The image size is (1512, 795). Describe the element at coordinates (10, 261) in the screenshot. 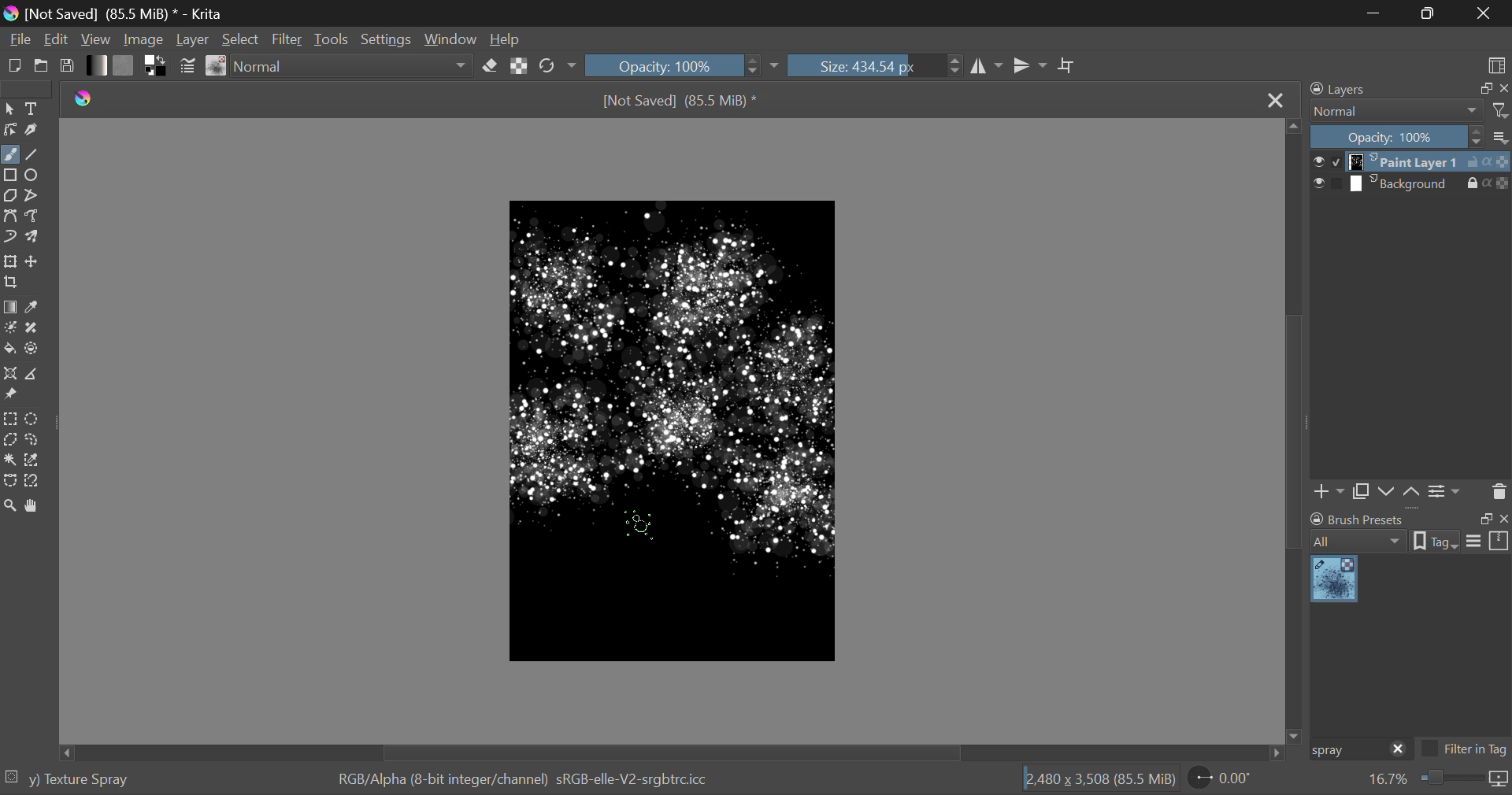

I see `Transform Layer` at that location.